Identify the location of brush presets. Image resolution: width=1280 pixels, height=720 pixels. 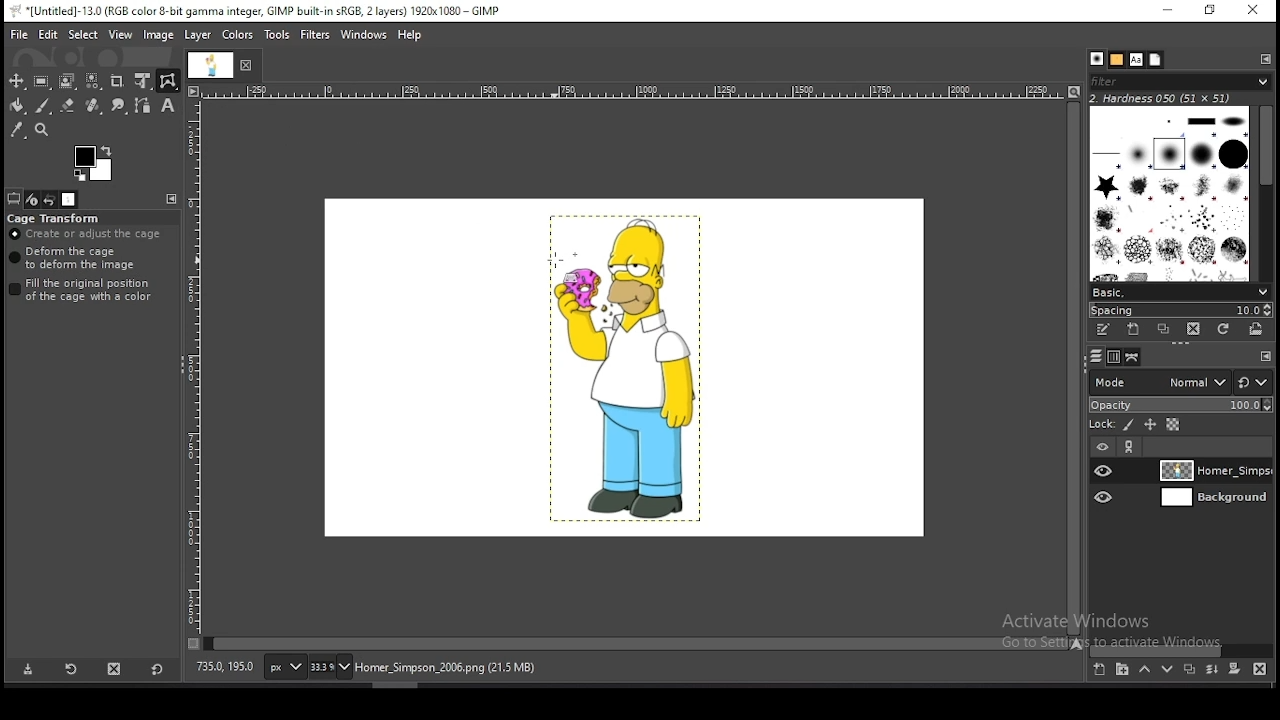
(1181, 290).